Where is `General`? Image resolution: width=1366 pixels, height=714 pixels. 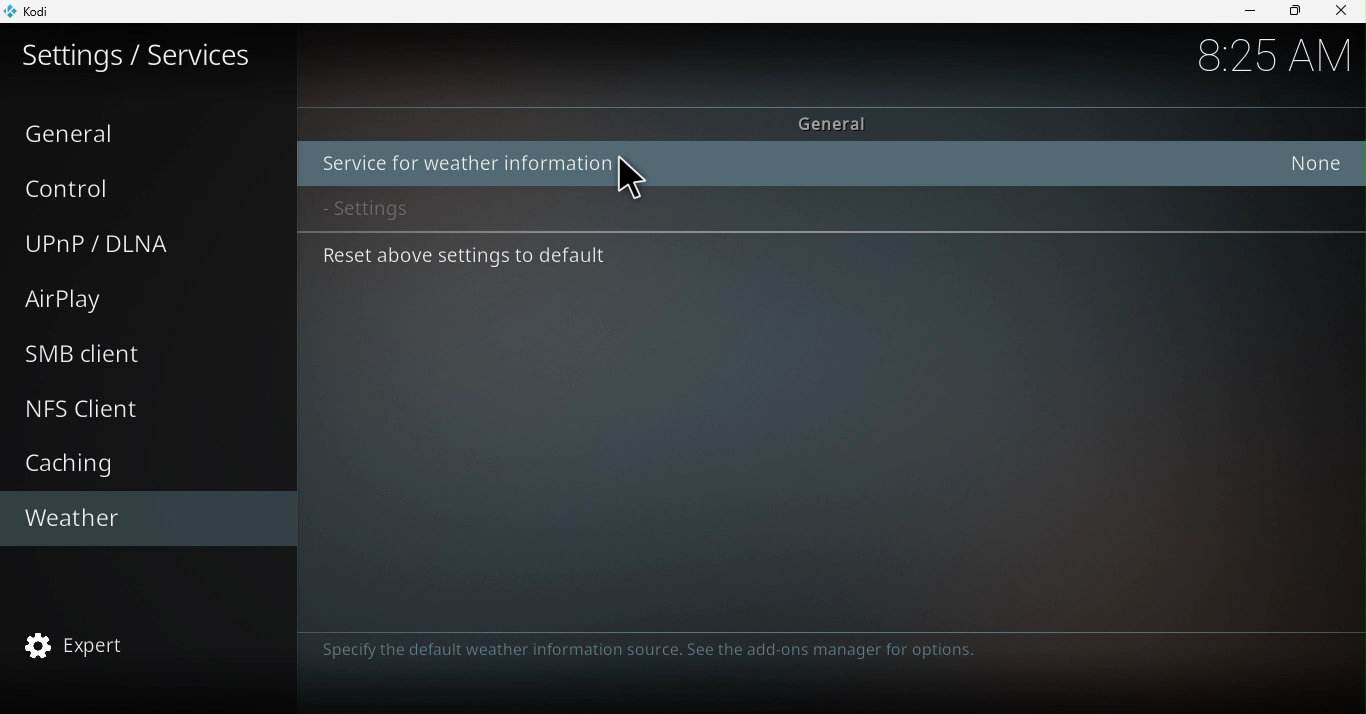
General is located at coordinates (146, 131).